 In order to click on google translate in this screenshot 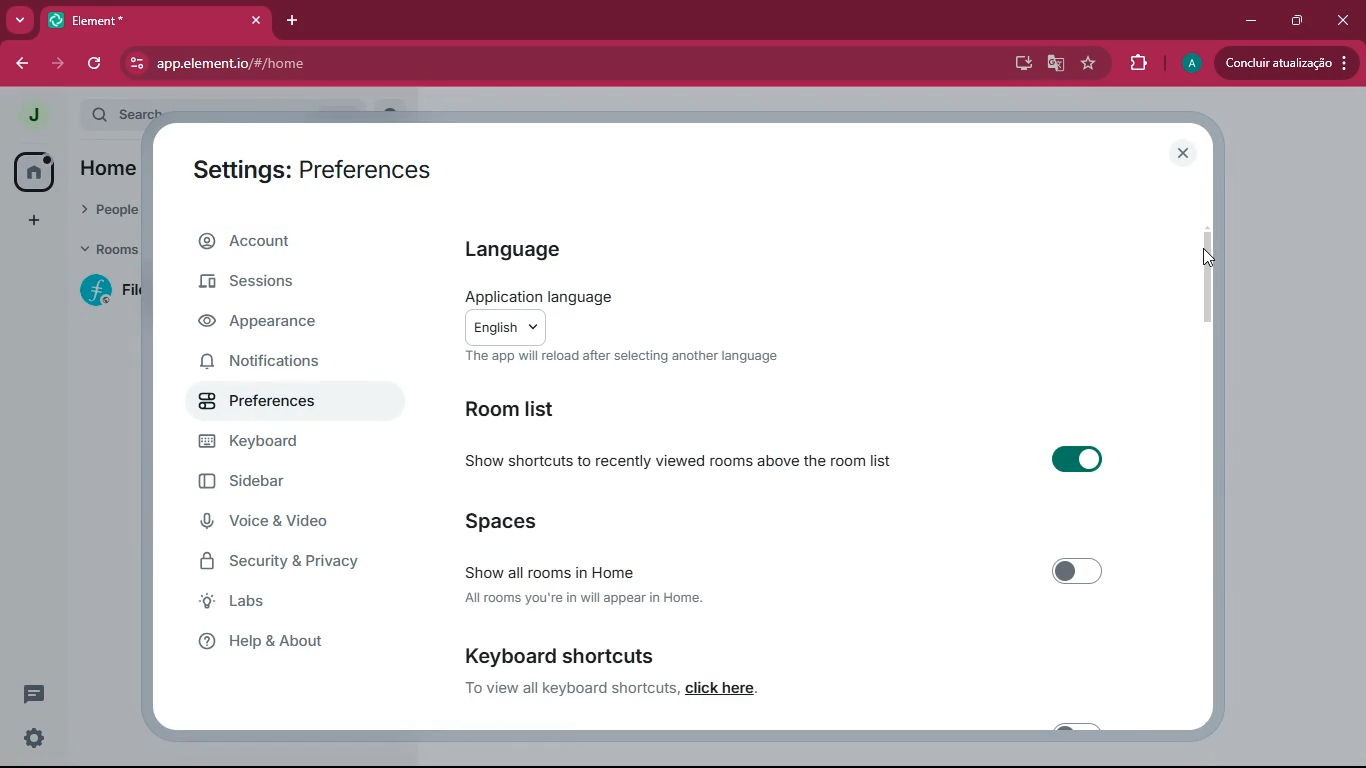, I will do `click(1056, 66)`.